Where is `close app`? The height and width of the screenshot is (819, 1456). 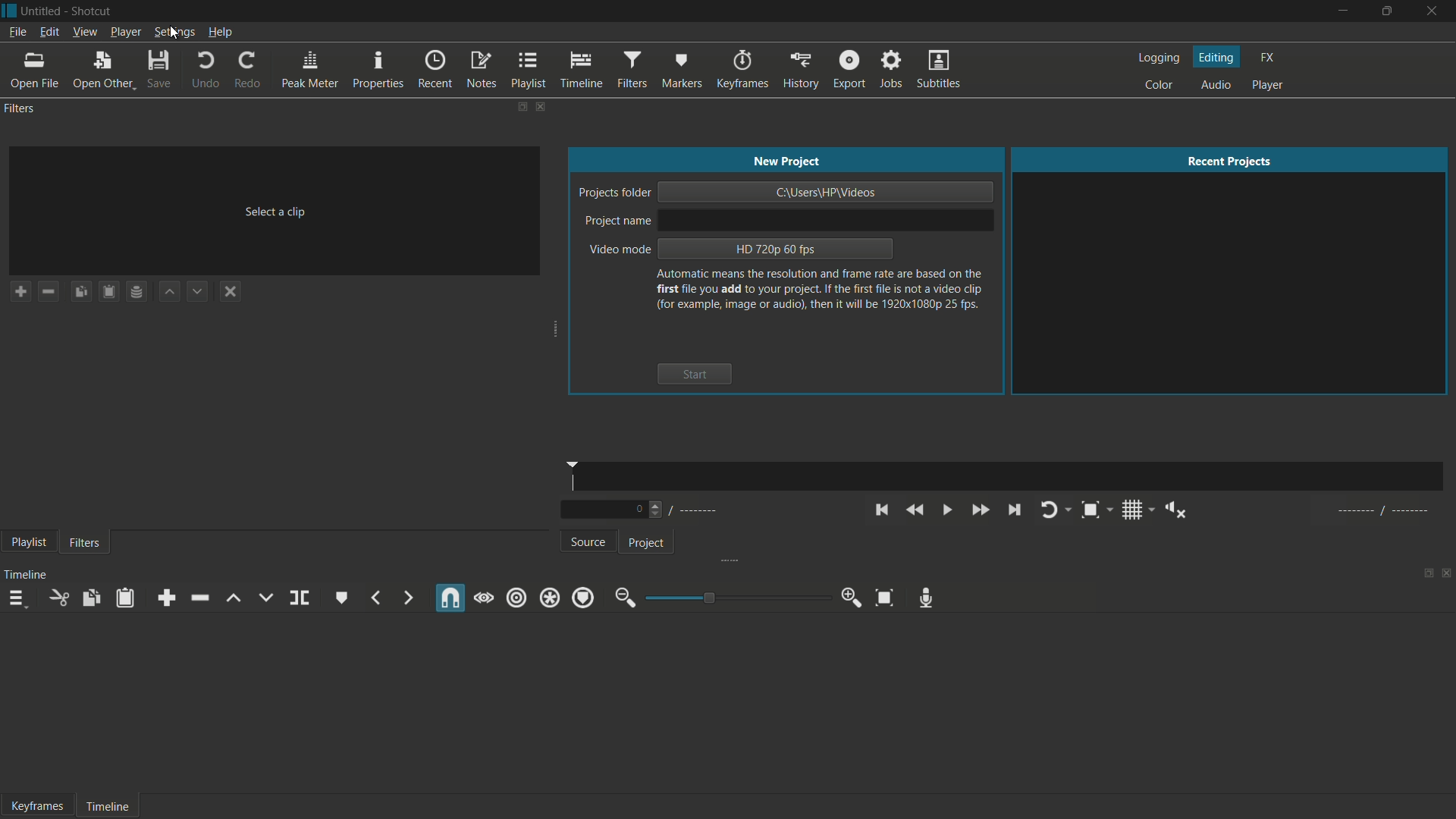
close app is located at coordinates (1433, 11).